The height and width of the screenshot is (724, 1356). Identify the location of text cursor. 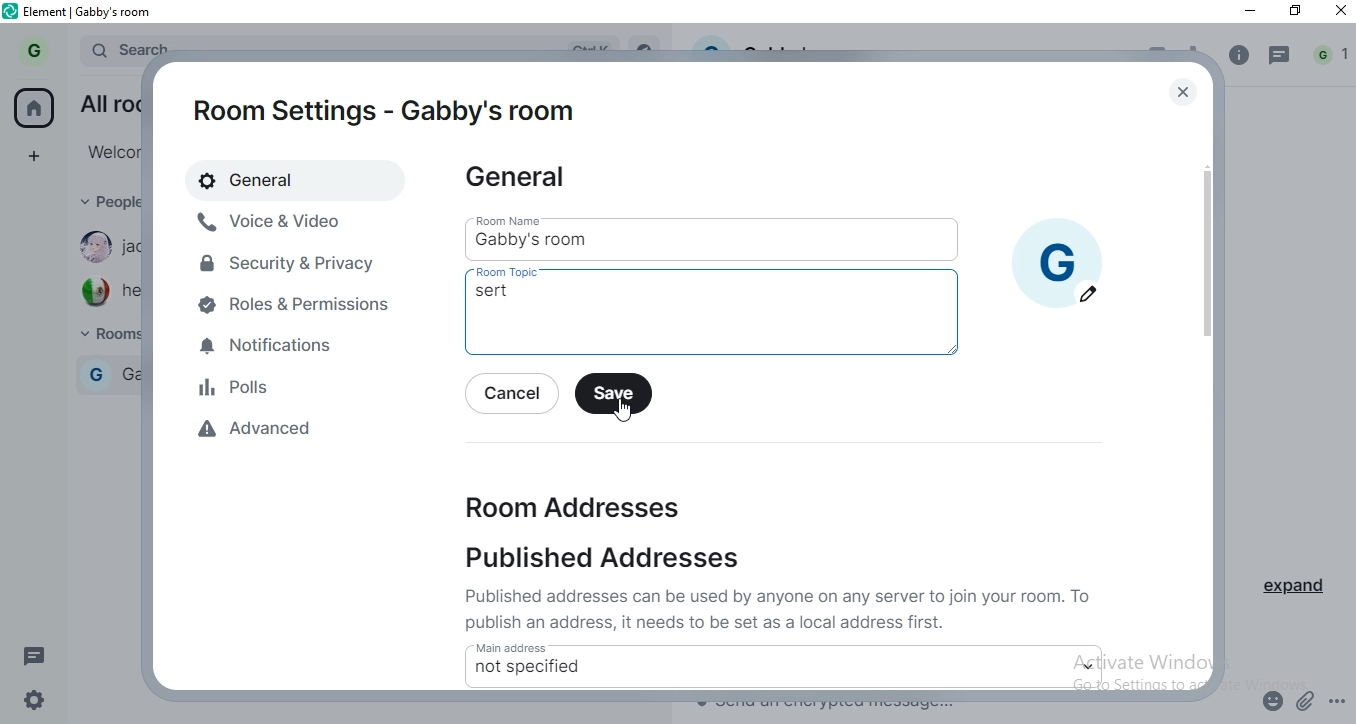
(679, 328).